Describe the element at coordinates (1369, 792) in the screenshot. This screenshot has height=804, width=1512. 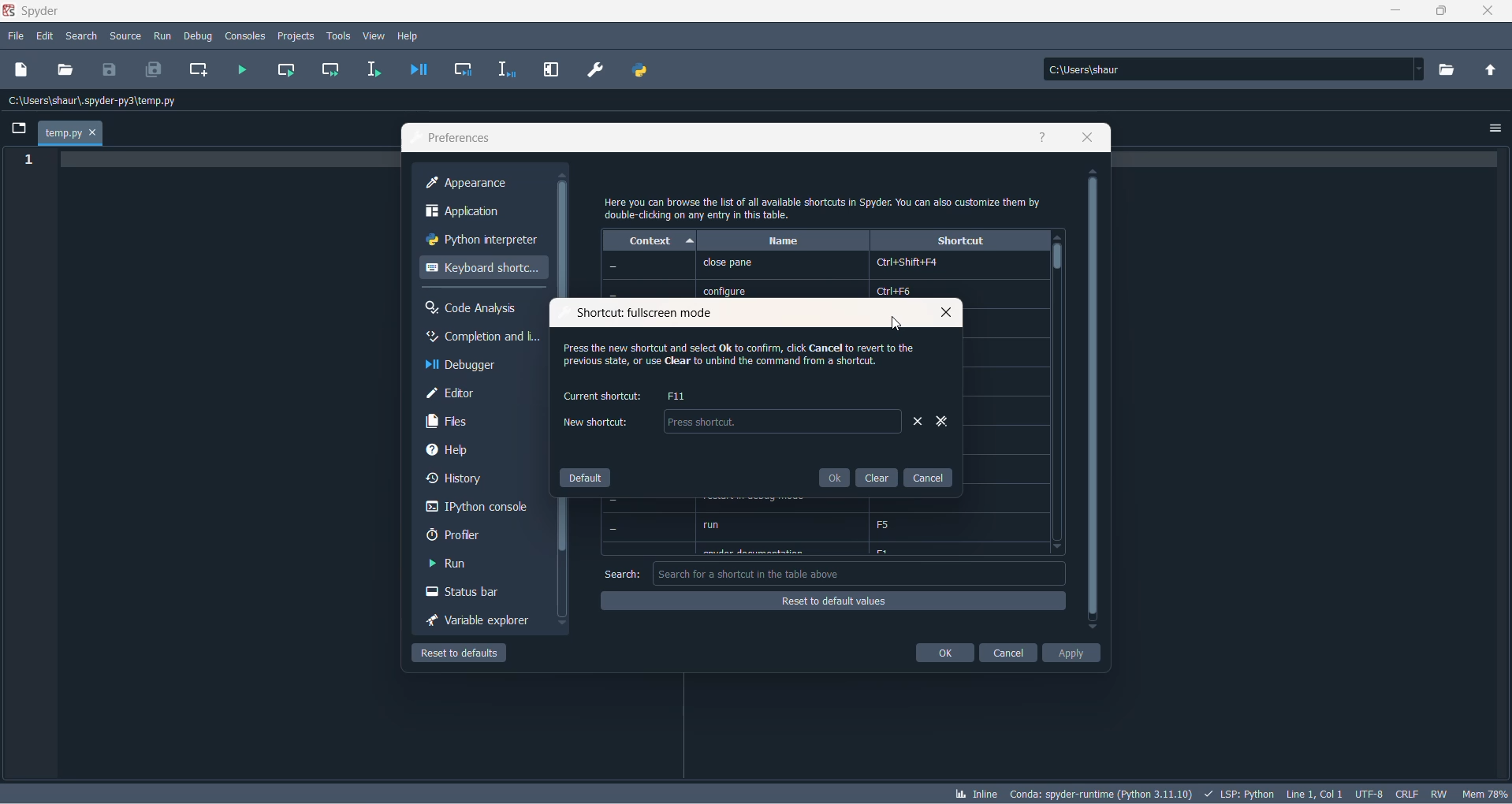
I see `charset` at that location.